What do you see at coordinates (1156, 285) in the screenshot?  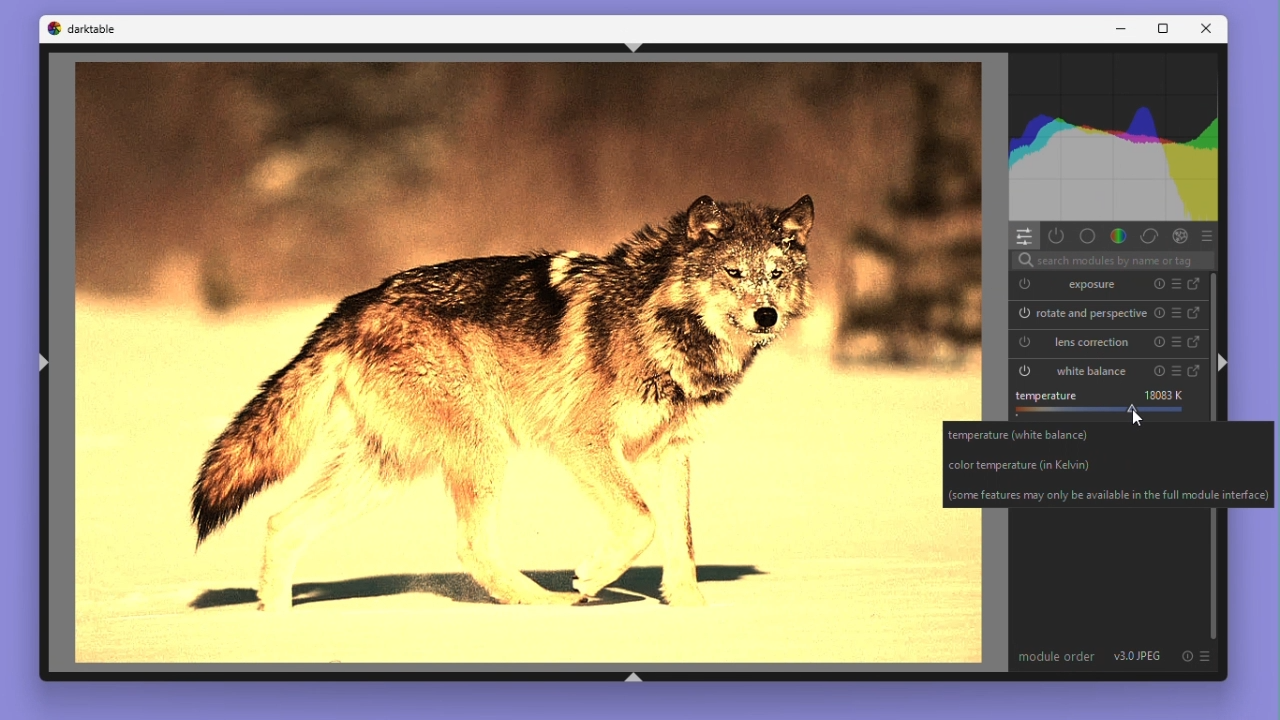 I see `Reset` at bounding box center [1156, 285].